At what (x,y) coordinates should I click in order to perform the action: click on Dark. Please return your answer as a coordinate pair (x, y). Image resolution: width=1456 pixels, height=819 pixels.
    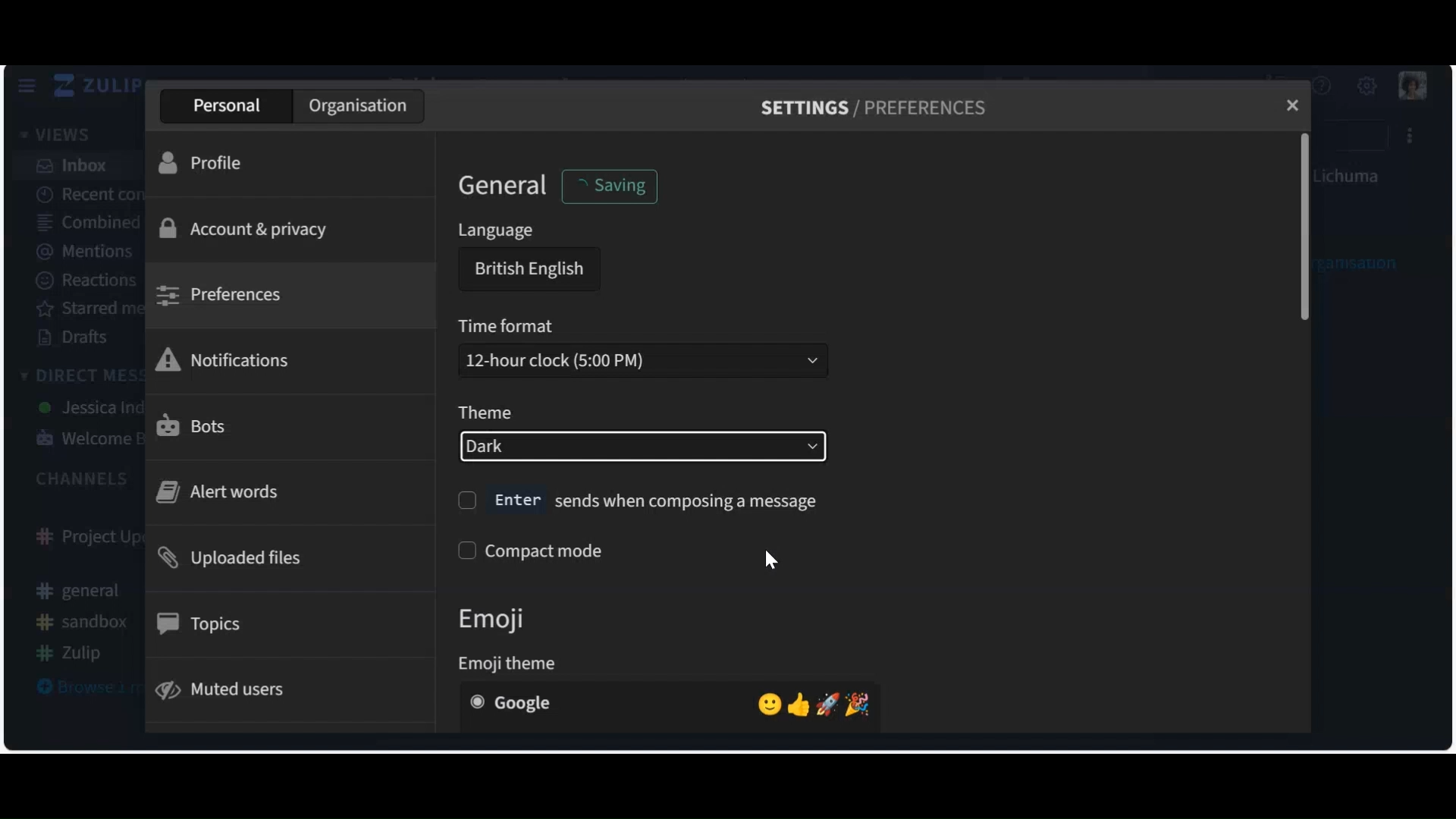
    Looking at the image, I should click on (644, 447).